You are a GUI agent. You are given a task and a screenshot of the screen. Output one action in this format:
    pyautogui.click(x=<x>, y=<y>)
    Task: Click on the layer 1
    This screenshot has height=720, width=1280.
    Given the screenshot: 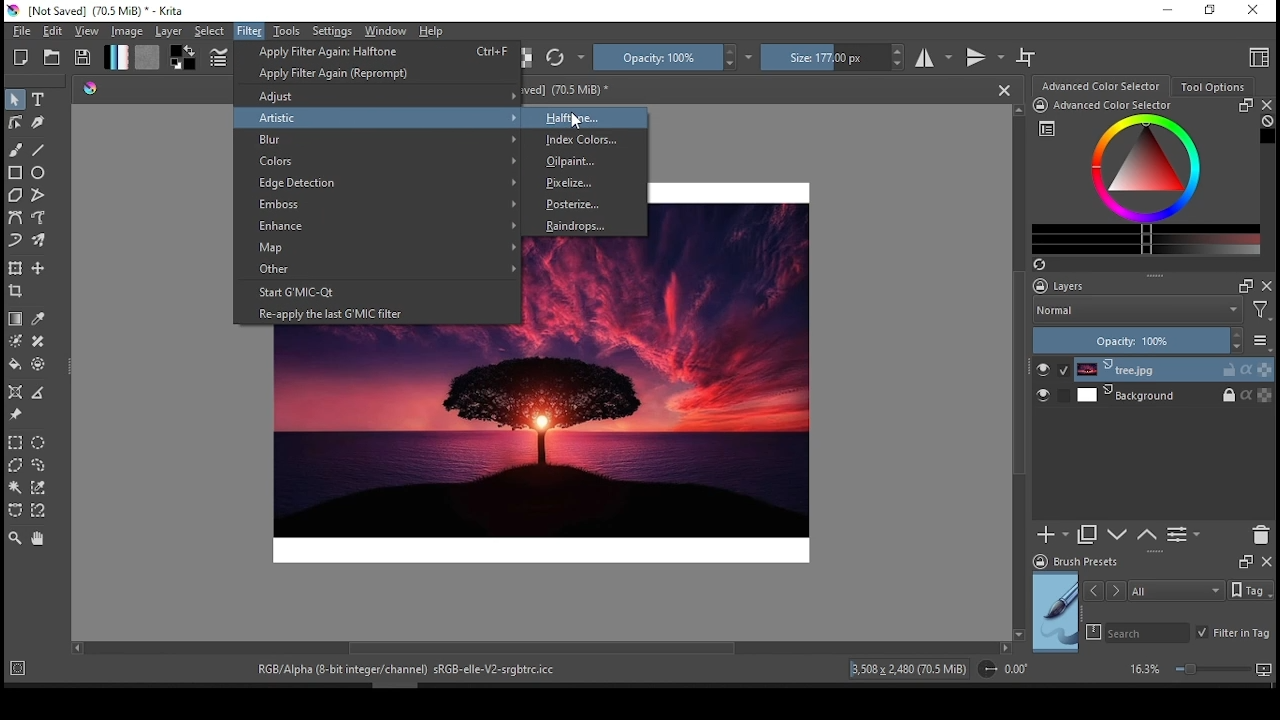 What is the action you would take?
    pyautogui.click(x=1172, y=369)
    